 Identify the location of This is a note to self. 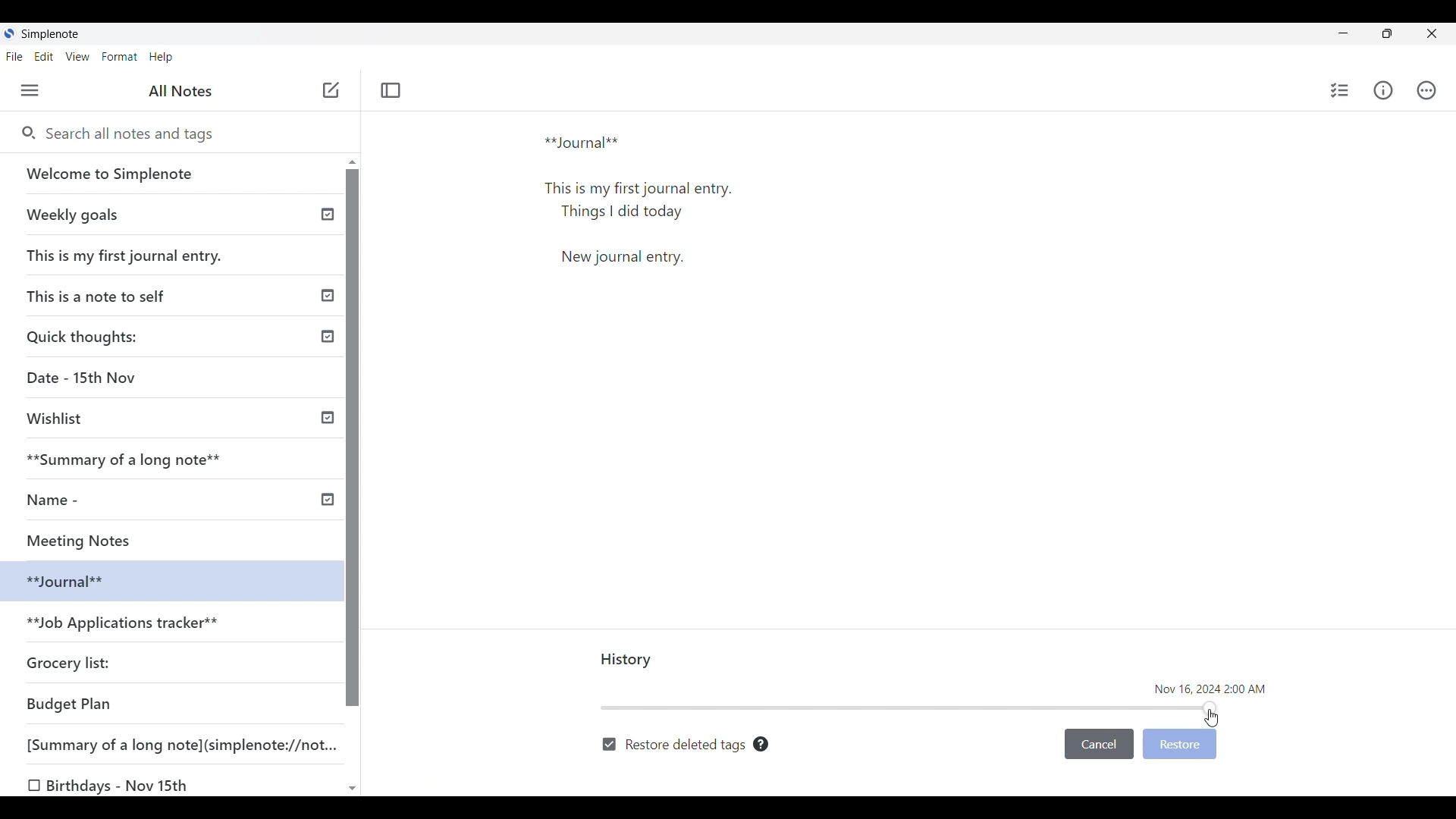
(102, 295).